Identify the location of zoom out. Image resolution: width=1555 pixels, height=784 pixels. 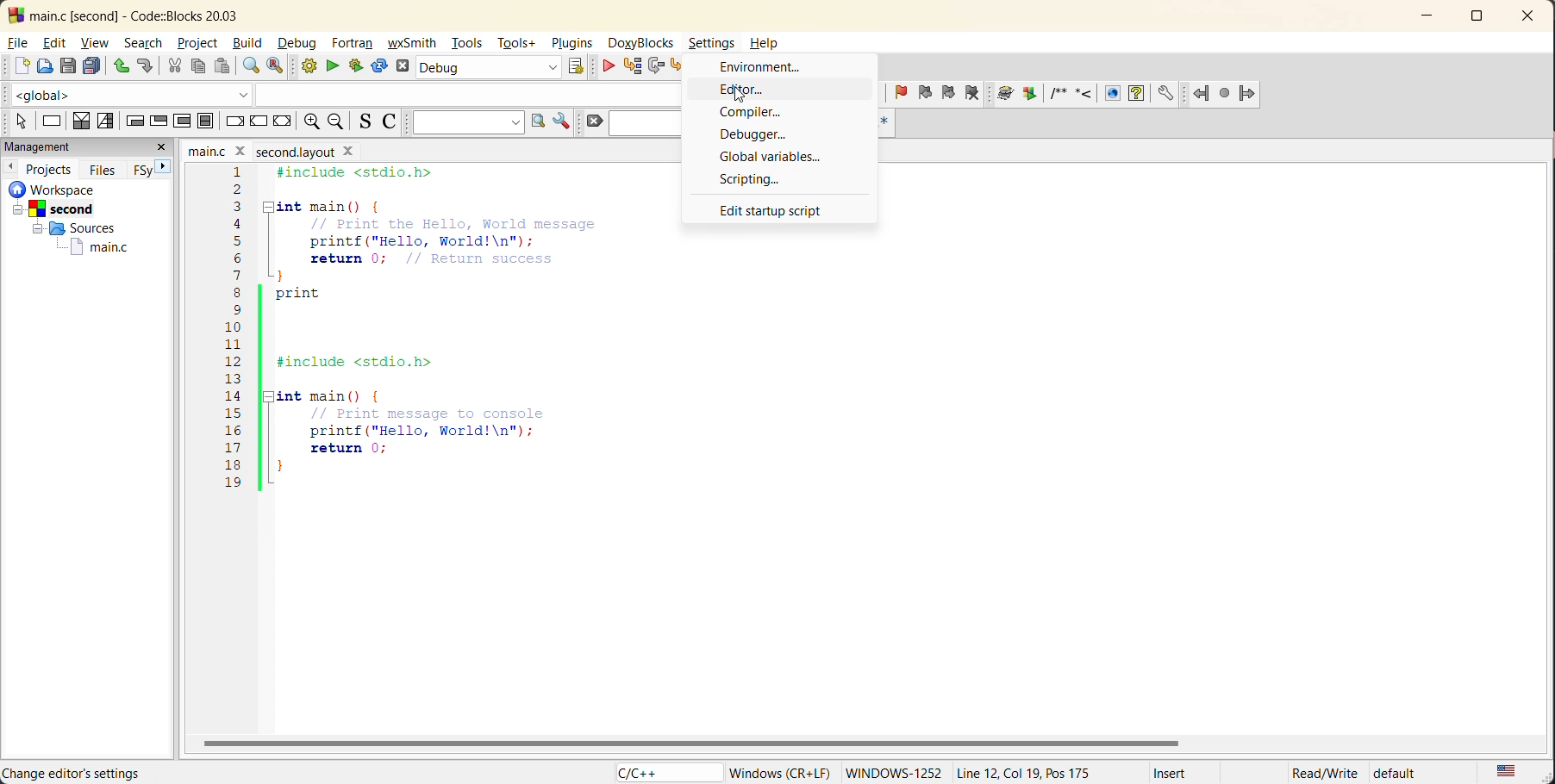
(340, 122).